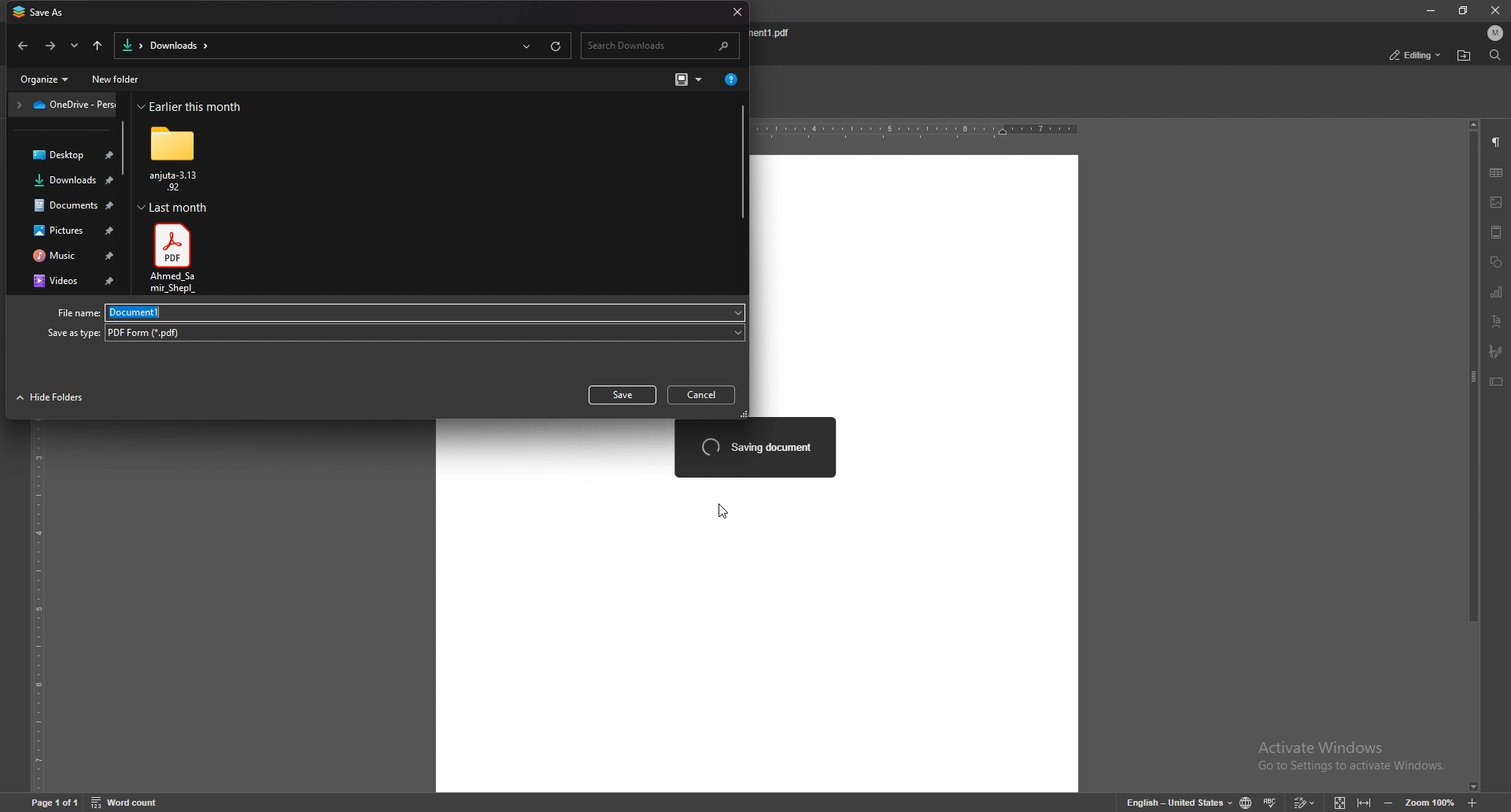  What do you see at coordinates (777, 33) in the screenshot?
I see `file name` at bounding box center [777, 33].